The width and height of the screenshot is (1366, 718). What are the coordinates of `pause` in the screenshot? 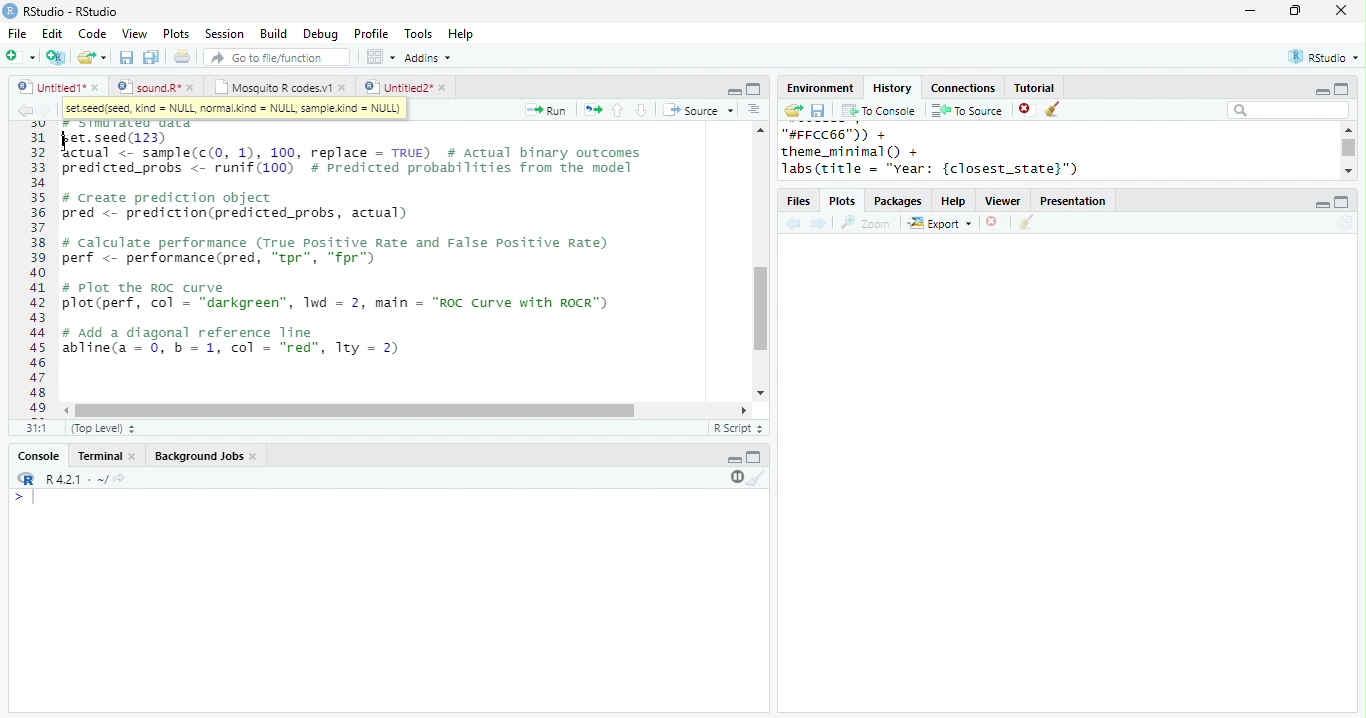 It's located at (735, 477).